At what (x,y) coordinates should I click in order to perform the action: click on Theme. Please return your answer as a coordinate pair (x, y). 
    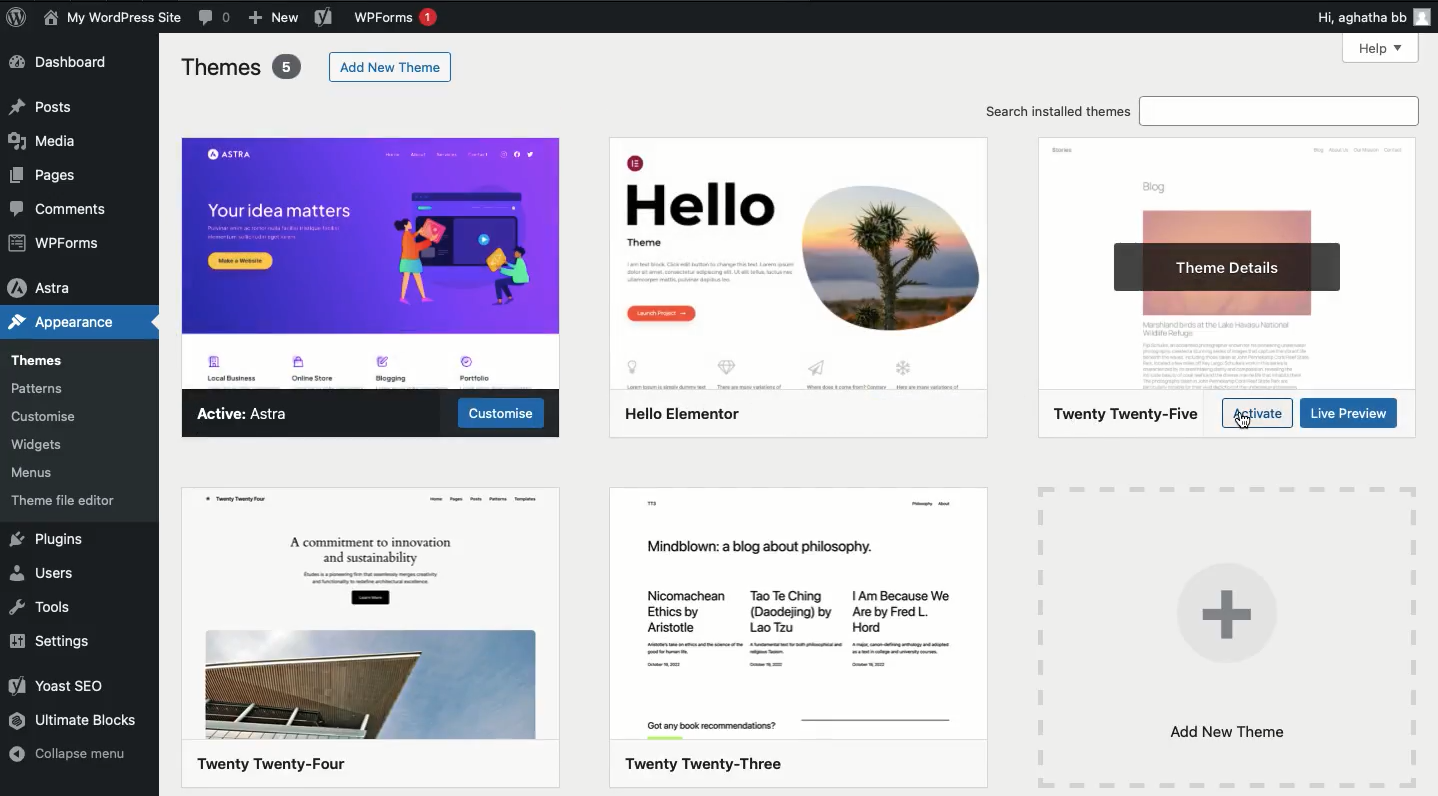
    Looking at the image, I should click on (799, 637).